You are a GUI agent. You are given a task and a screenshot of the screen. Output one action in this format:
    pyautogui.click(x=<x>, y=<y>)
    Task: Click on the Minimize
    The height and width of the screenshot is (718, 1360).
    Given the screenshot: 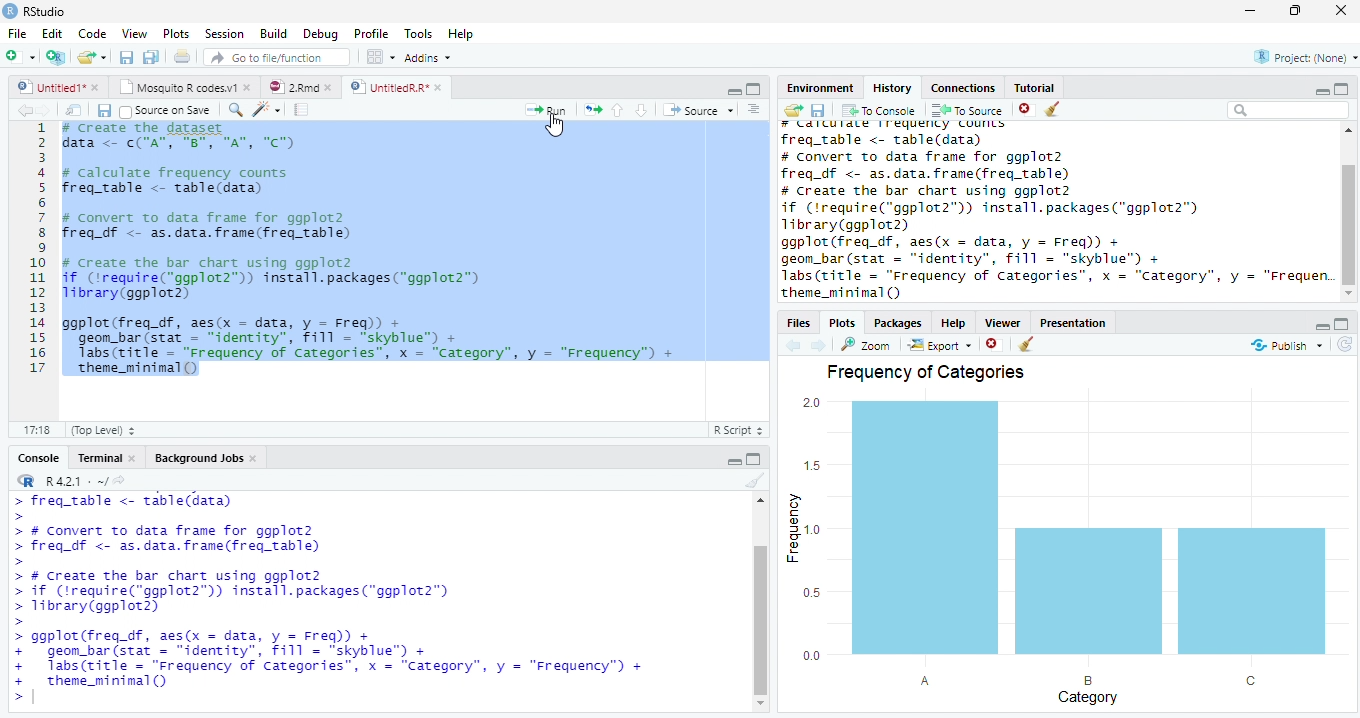 What is the action you would take?
    pyautogui.click(x=1323, y=328)
    